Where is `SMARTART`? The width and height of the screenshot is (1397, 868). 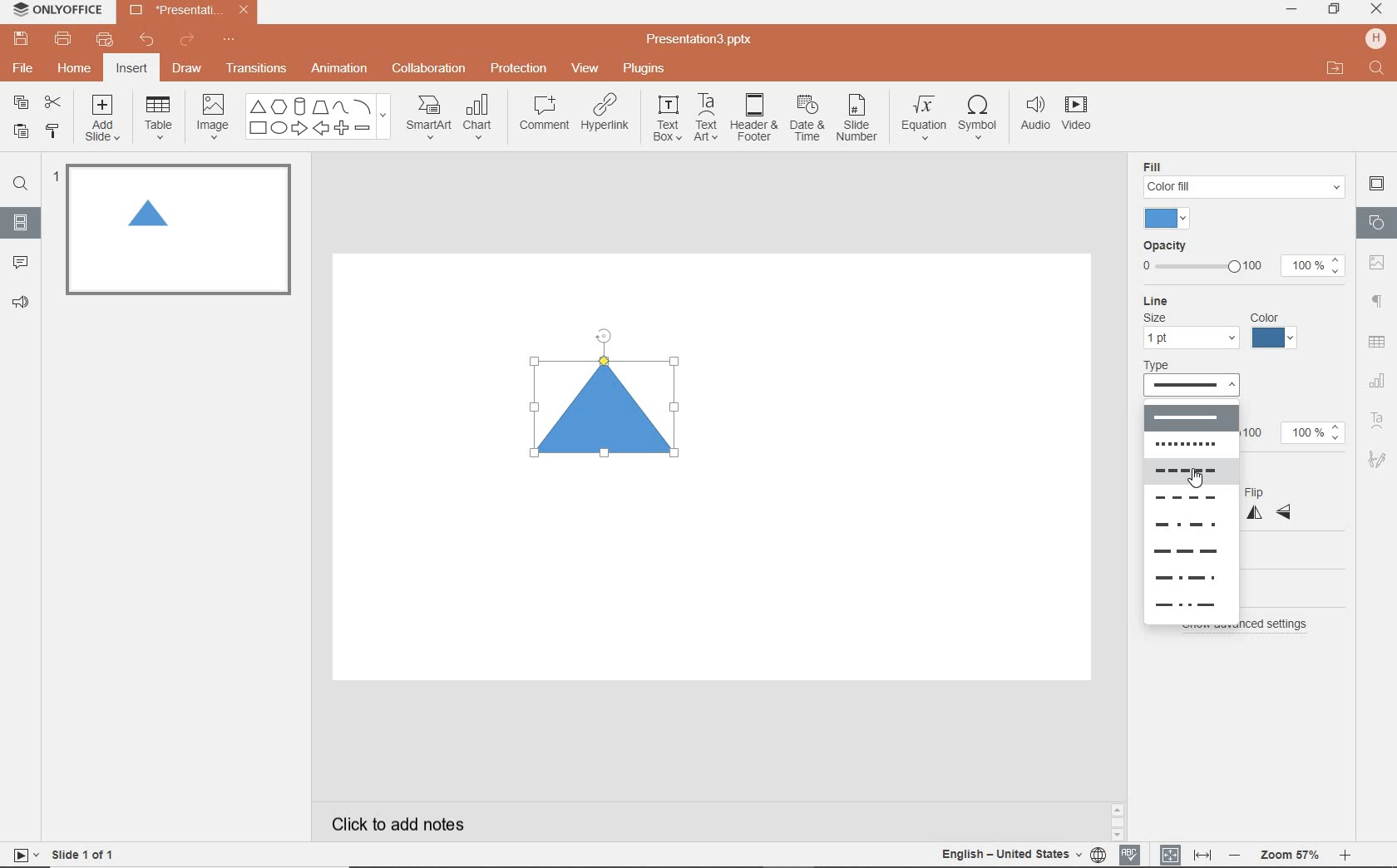
SMARTART is located at coordinates (429, 123).